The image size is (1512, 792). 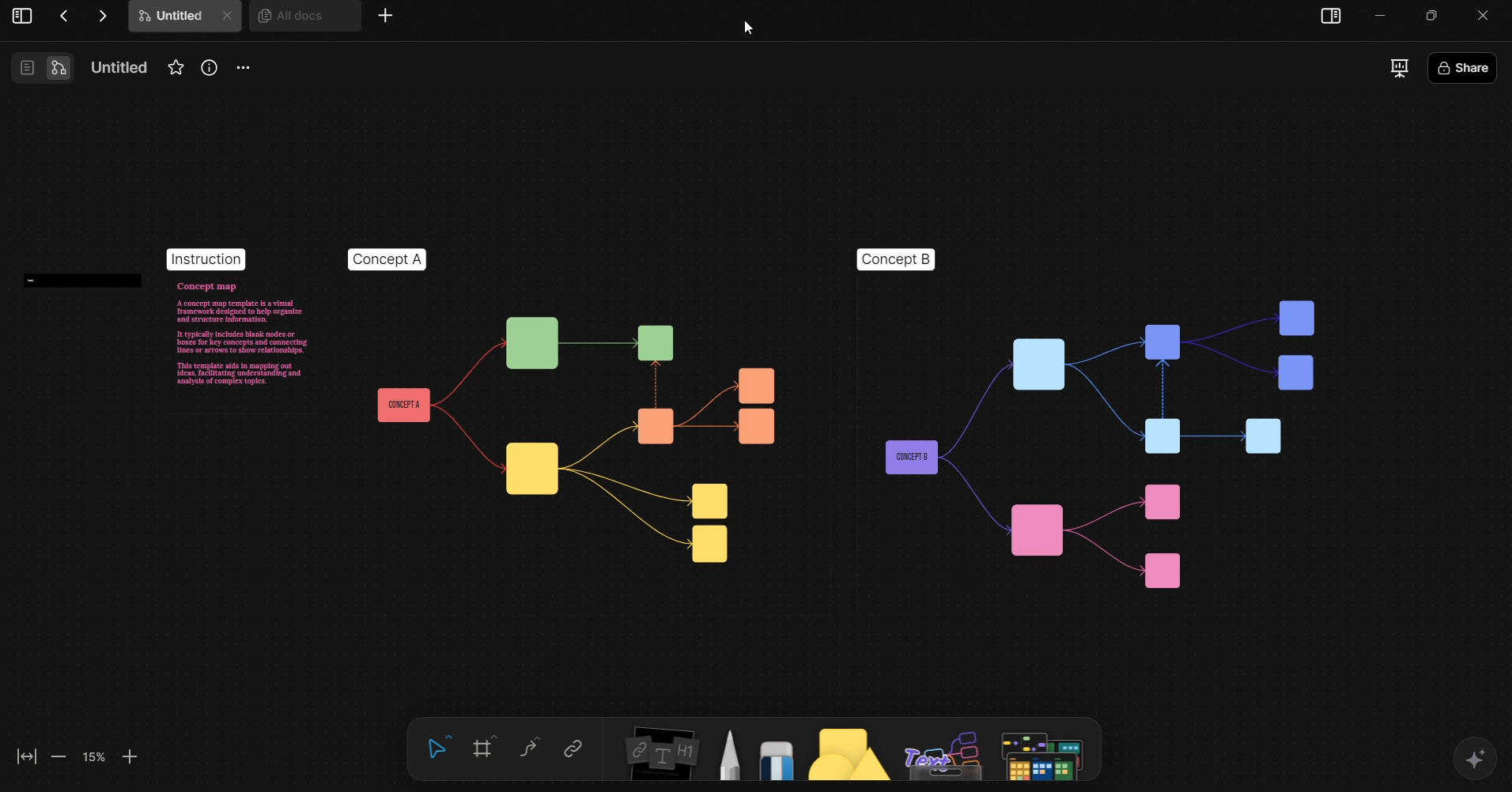 What do you see at coordinates (1048, 752) in the screenshot?
I see `Board/Template Tool` at bounding box center [1048, 752].